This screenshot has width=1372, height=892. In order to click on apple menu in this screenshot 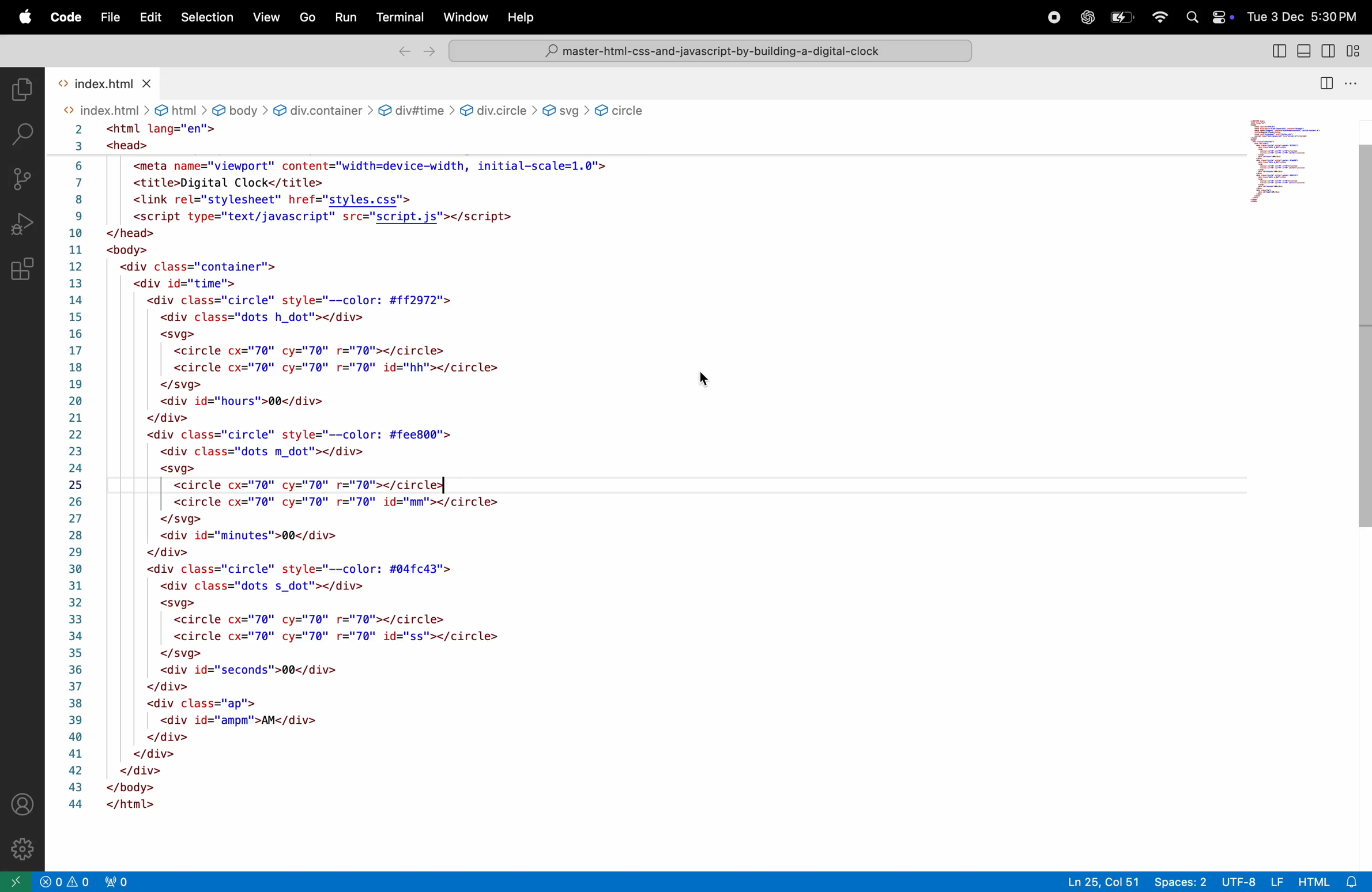, I will do `click(24, 18)`.